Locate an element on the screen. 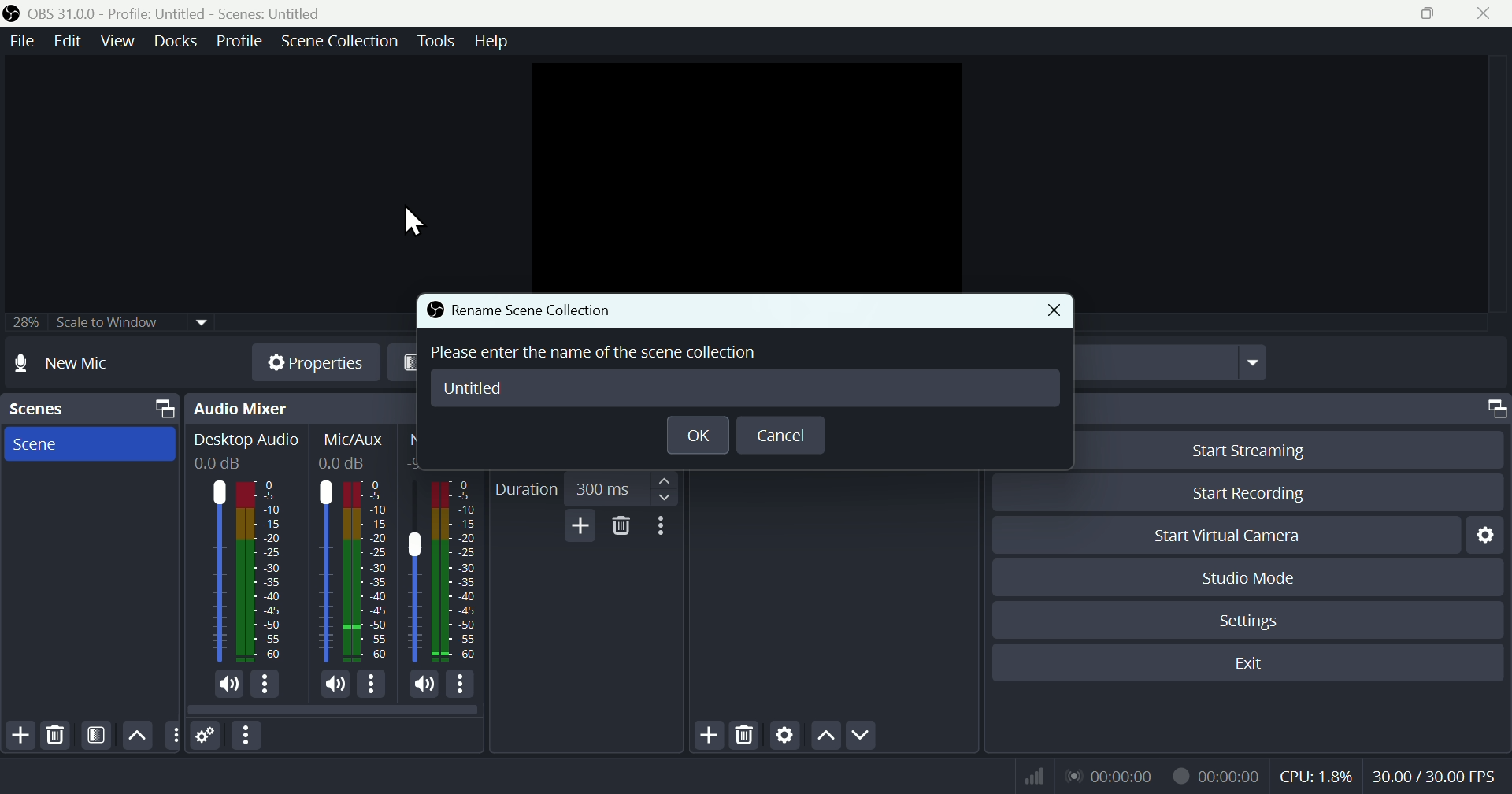 This screenshot has width=1512, height=794. Close is located at coordinates (1487, 15).